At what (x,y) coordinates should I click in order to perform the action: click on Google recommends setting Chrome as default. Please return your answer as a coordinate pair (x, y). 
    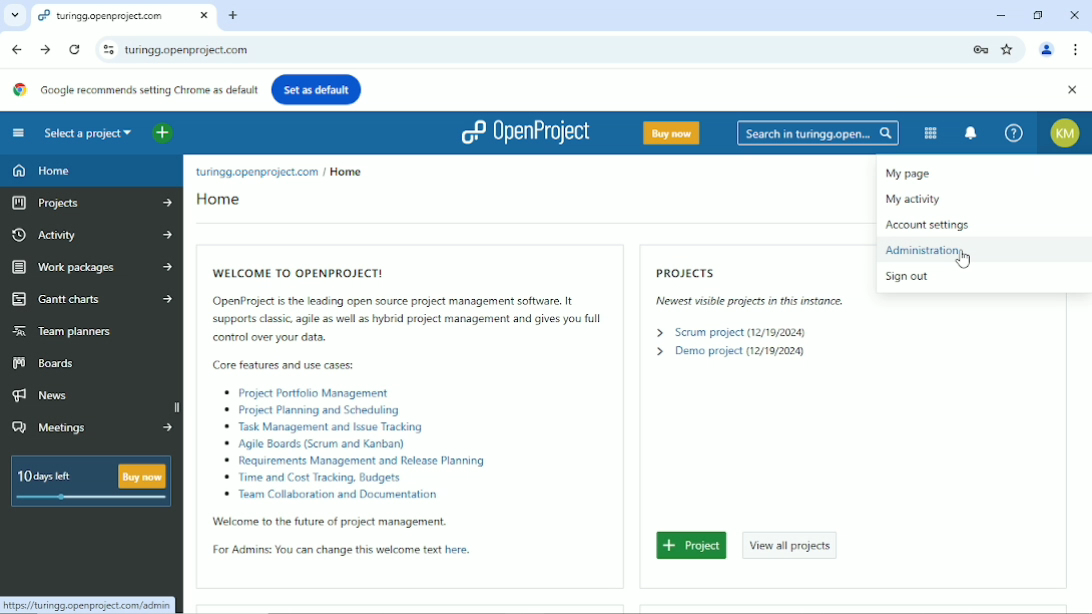
    Looking at the image, I should click on (135, 89).